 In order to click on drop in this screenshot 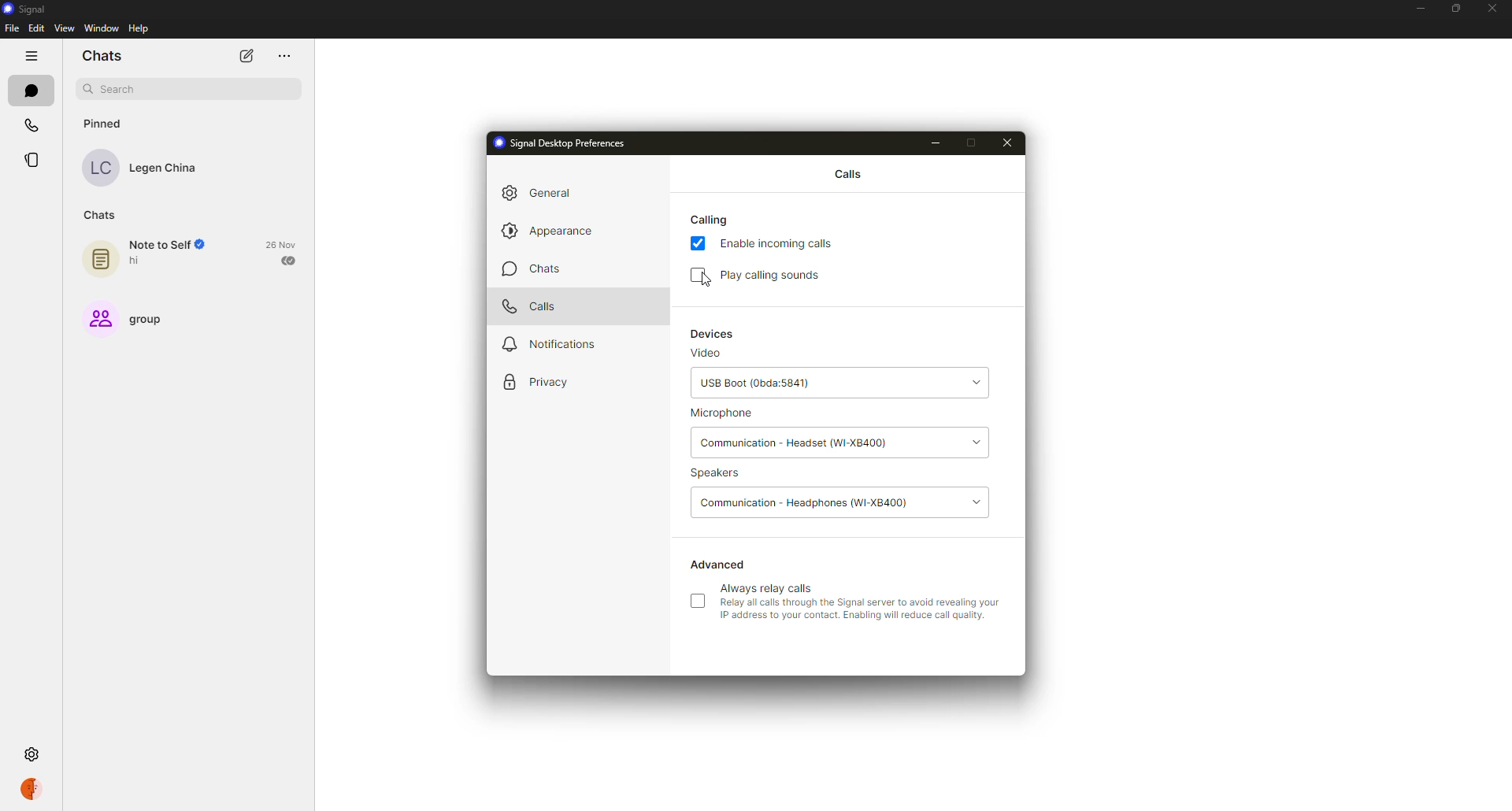, I will do `click(974, 378)`.